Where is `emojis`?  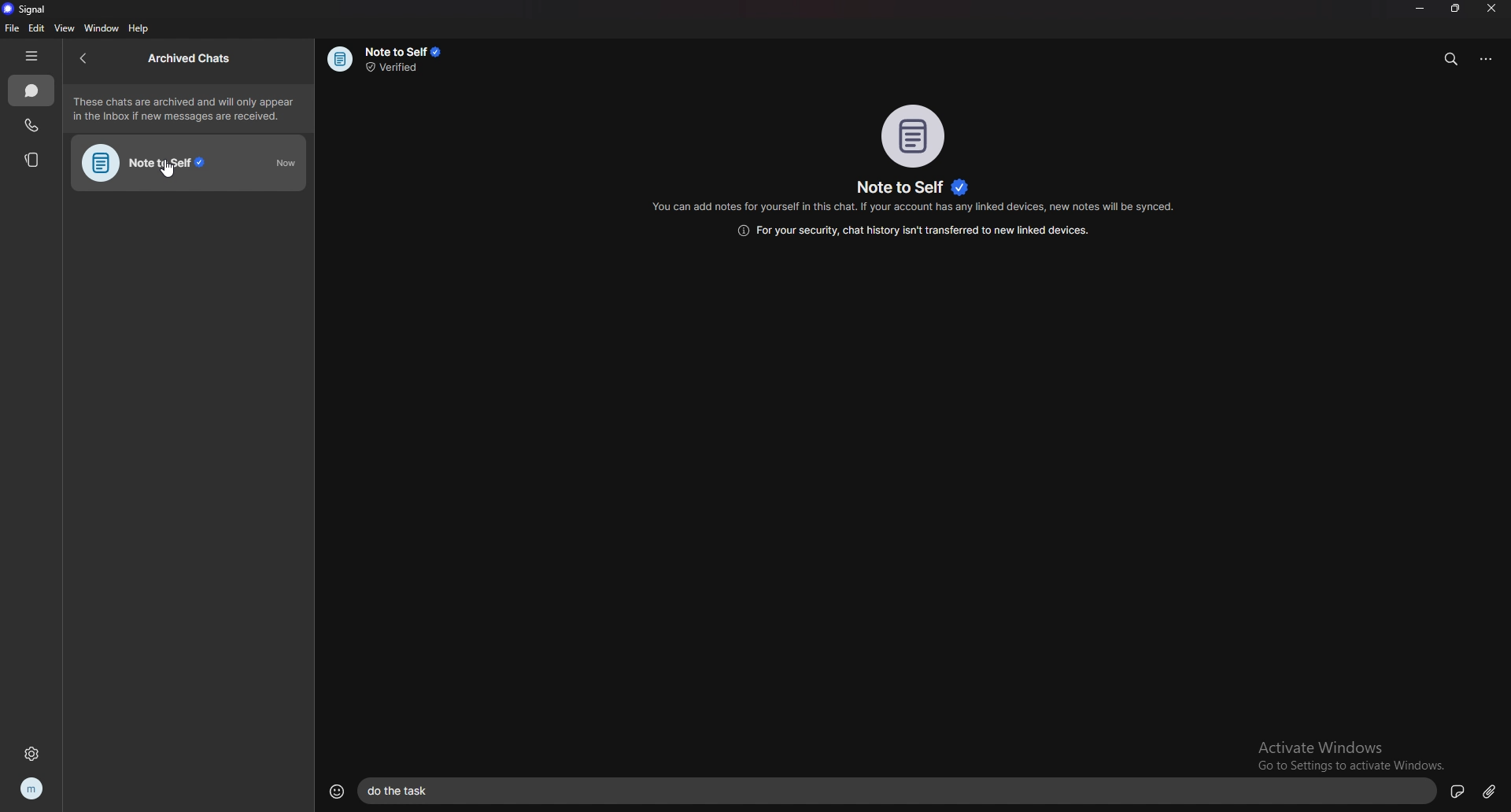
emojis is located at coordinates (337, 789).